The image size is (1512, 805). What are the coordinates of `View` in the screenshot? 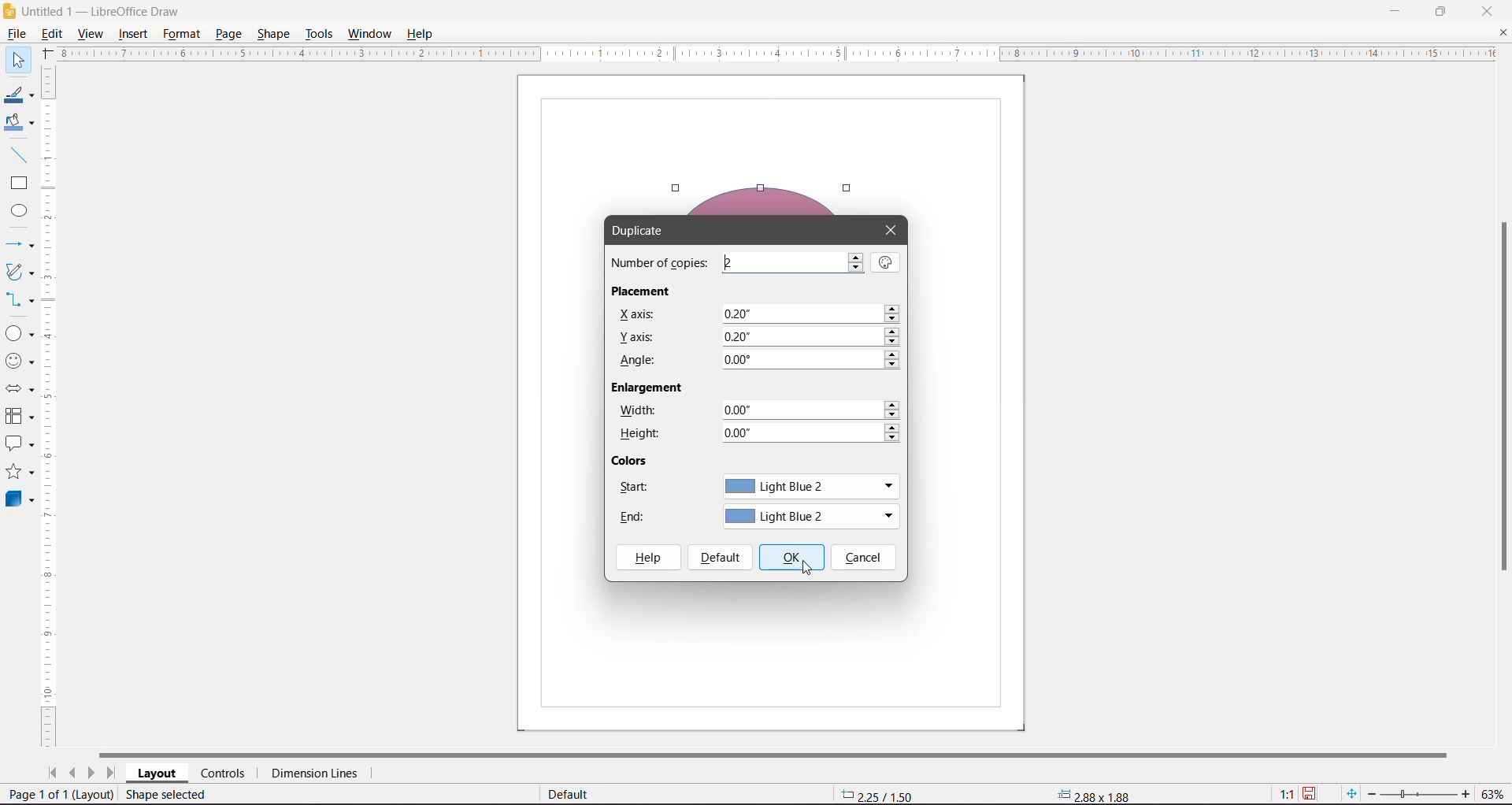 It's located at (92, 33).